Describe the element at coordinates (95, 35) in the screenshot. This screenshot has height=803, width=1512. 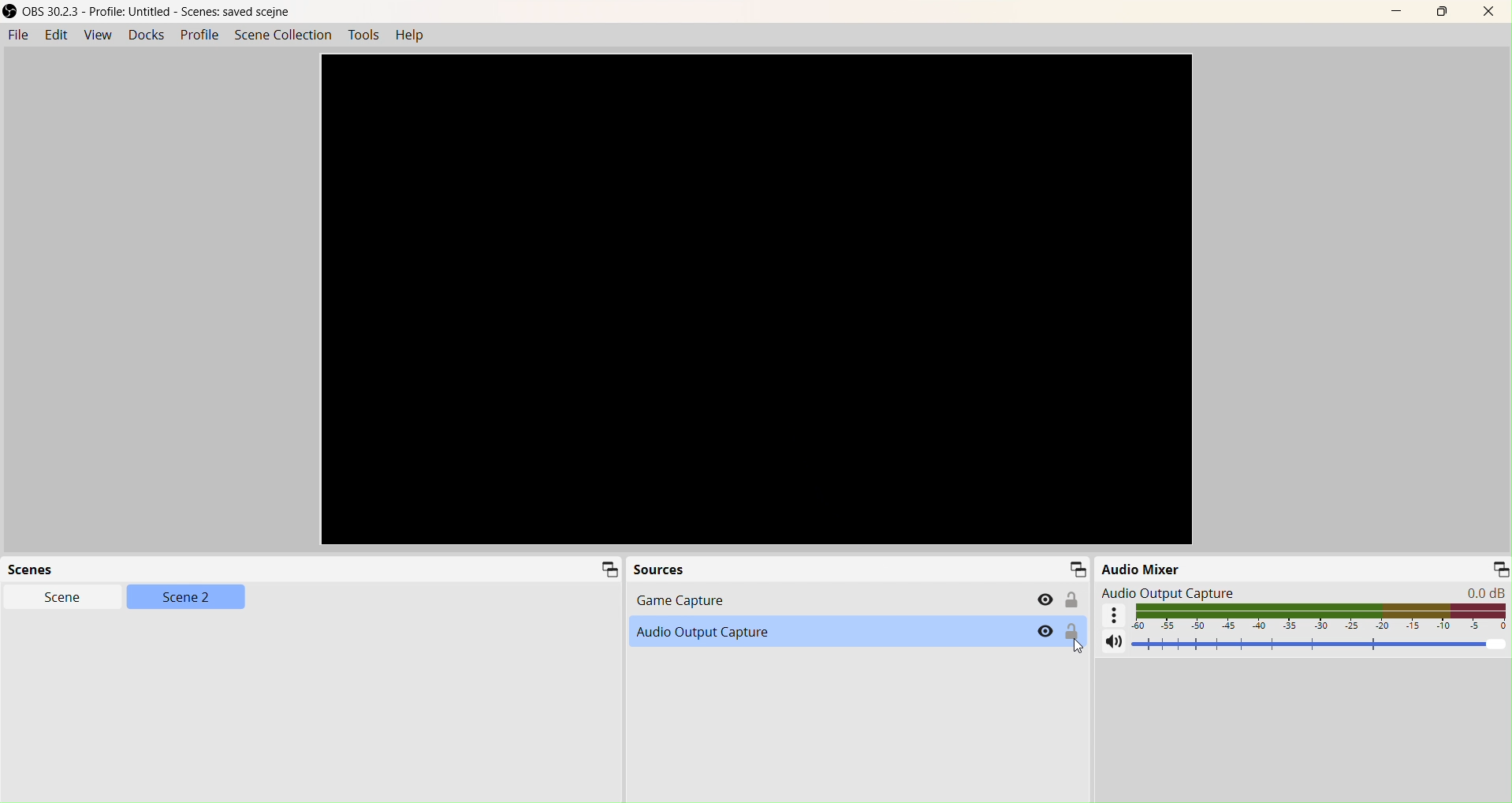
I see `View` at that location.